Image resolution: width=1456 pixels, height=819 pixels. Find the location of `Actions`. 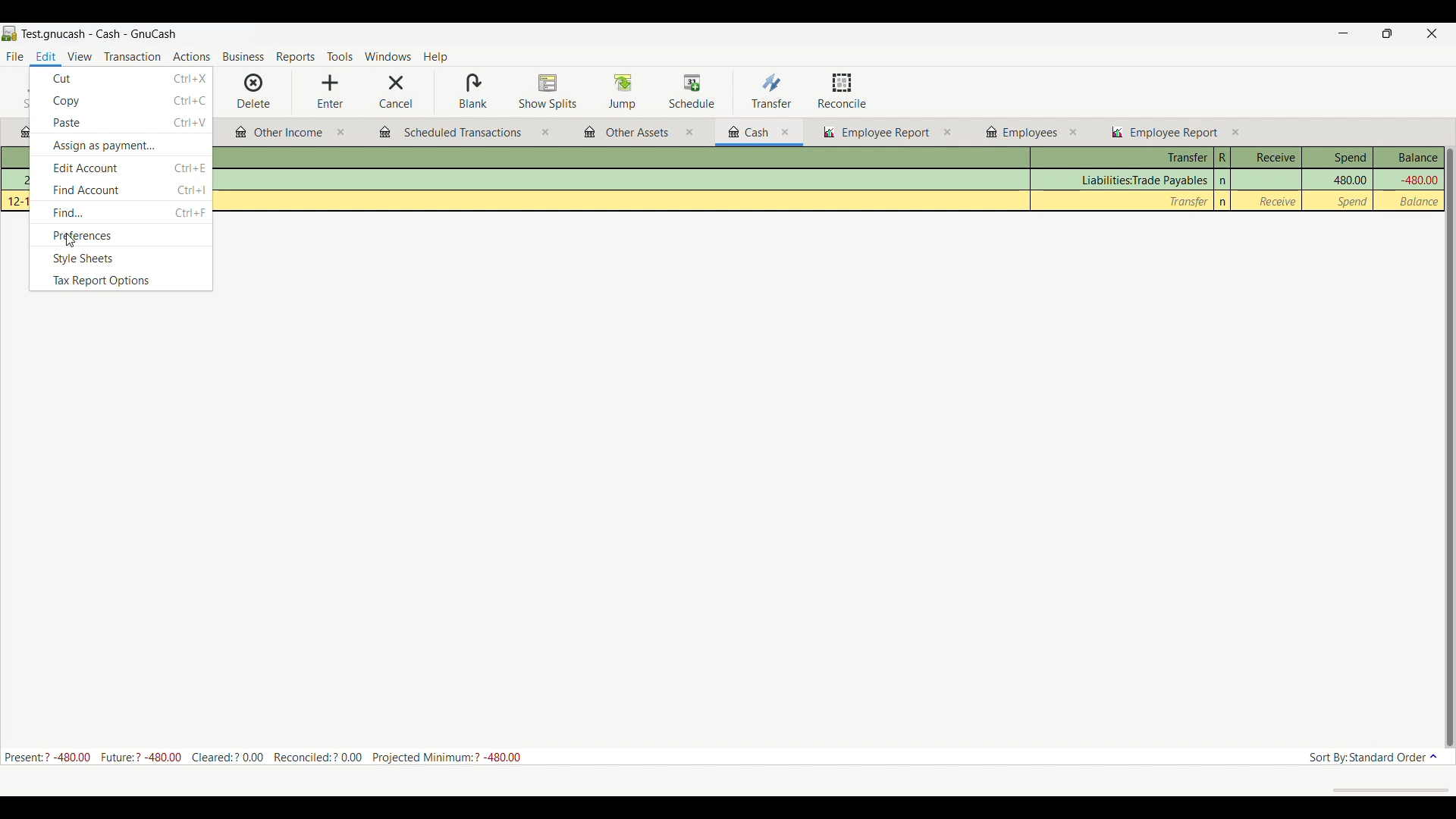

Actions is located at coordinates (193, 55).